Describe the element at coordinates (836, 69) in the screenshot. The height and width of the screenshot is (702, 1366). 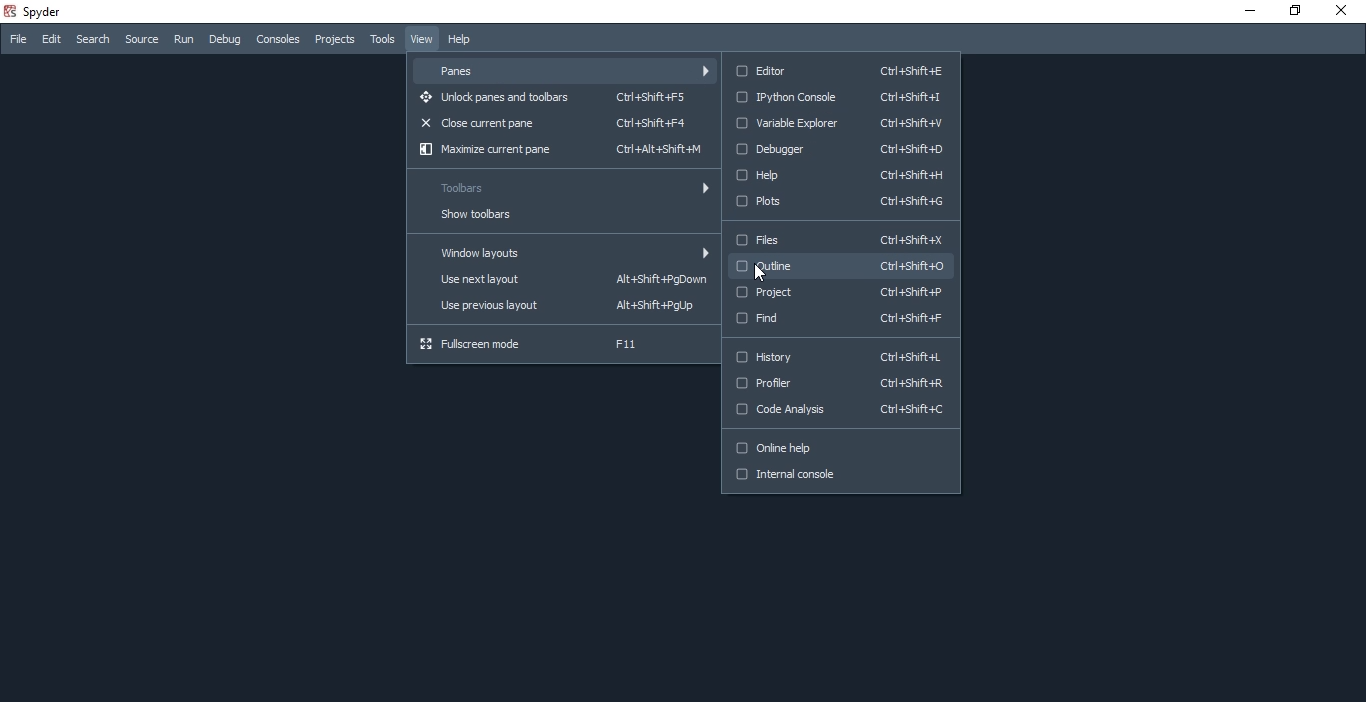
I see `Editor` at that location.